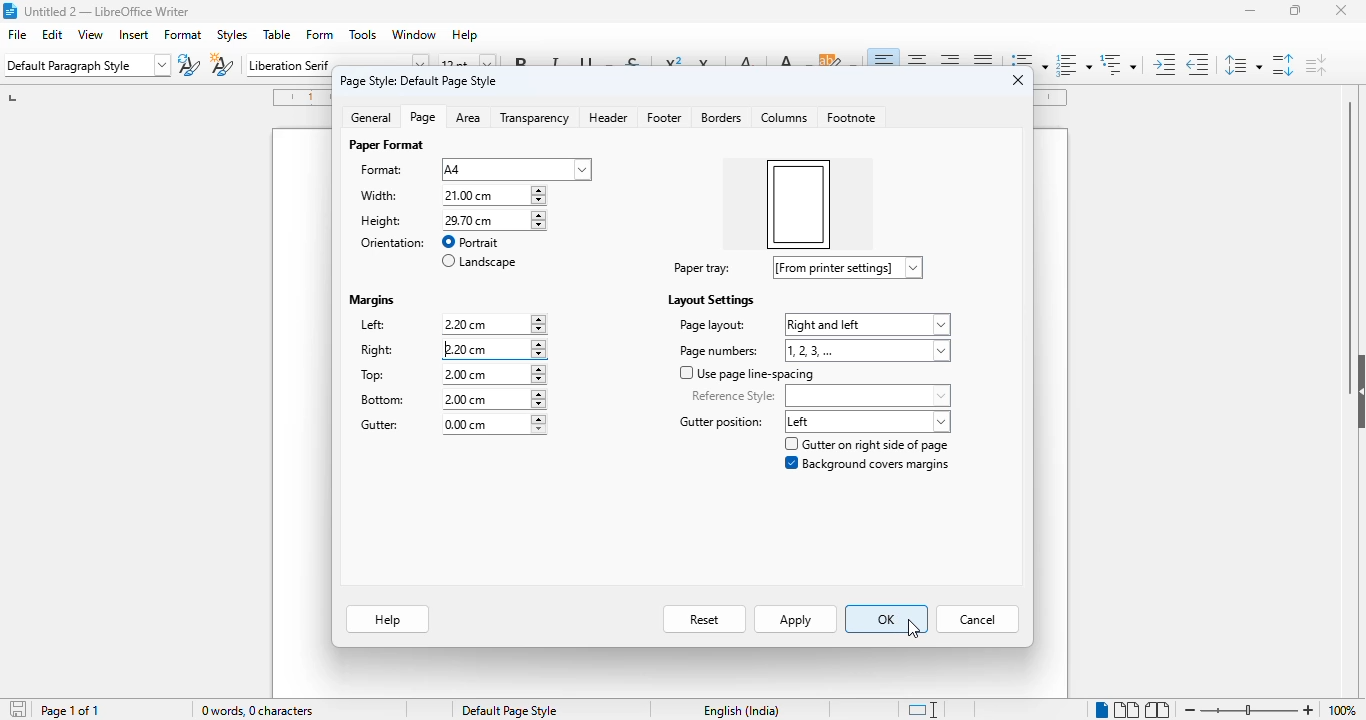  I want to click on format, so click(184, 34).